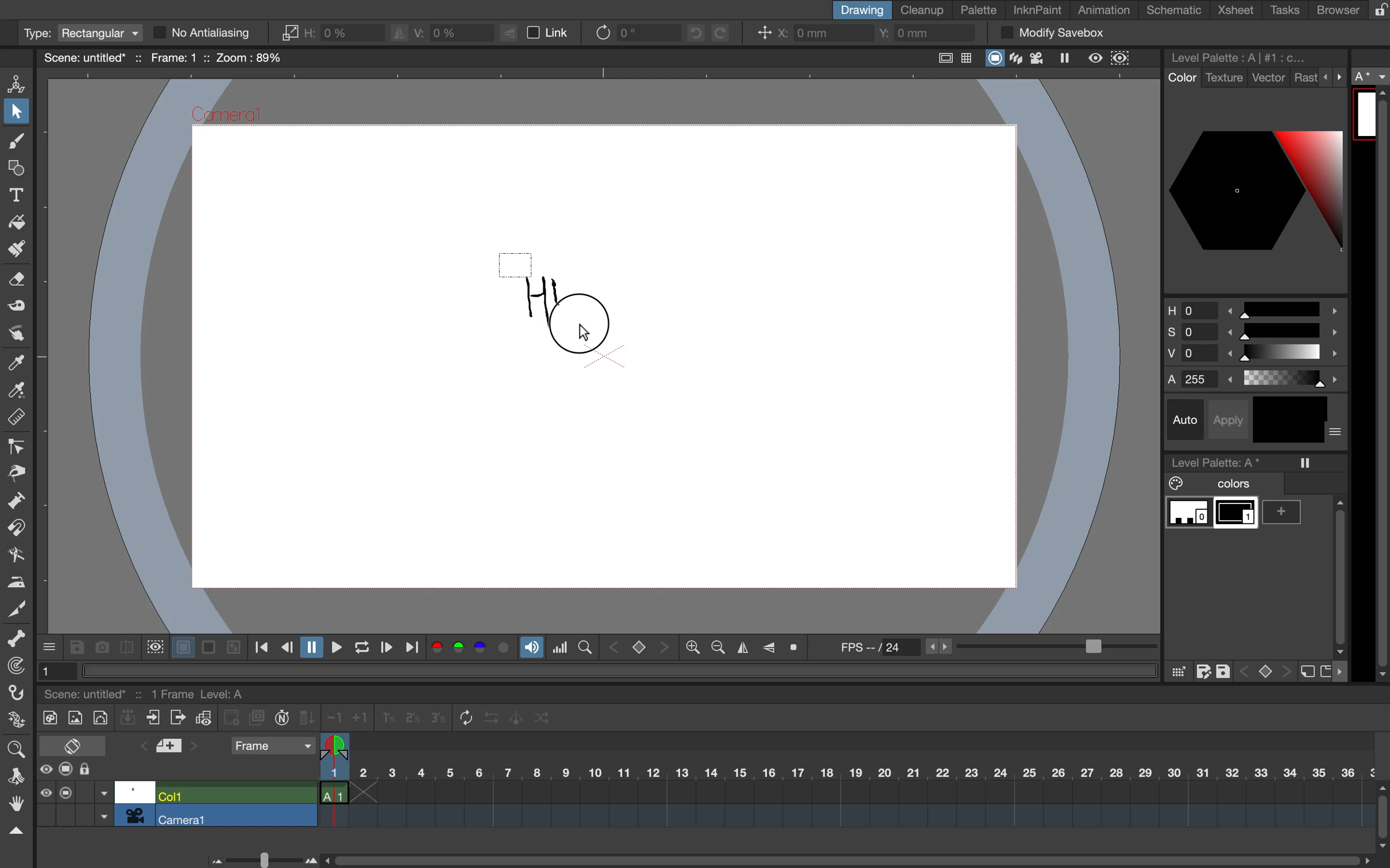  What do you see at coordinates (74, 719) in the screenshot?
I see `new raster level` at bounding box center [74, 719].